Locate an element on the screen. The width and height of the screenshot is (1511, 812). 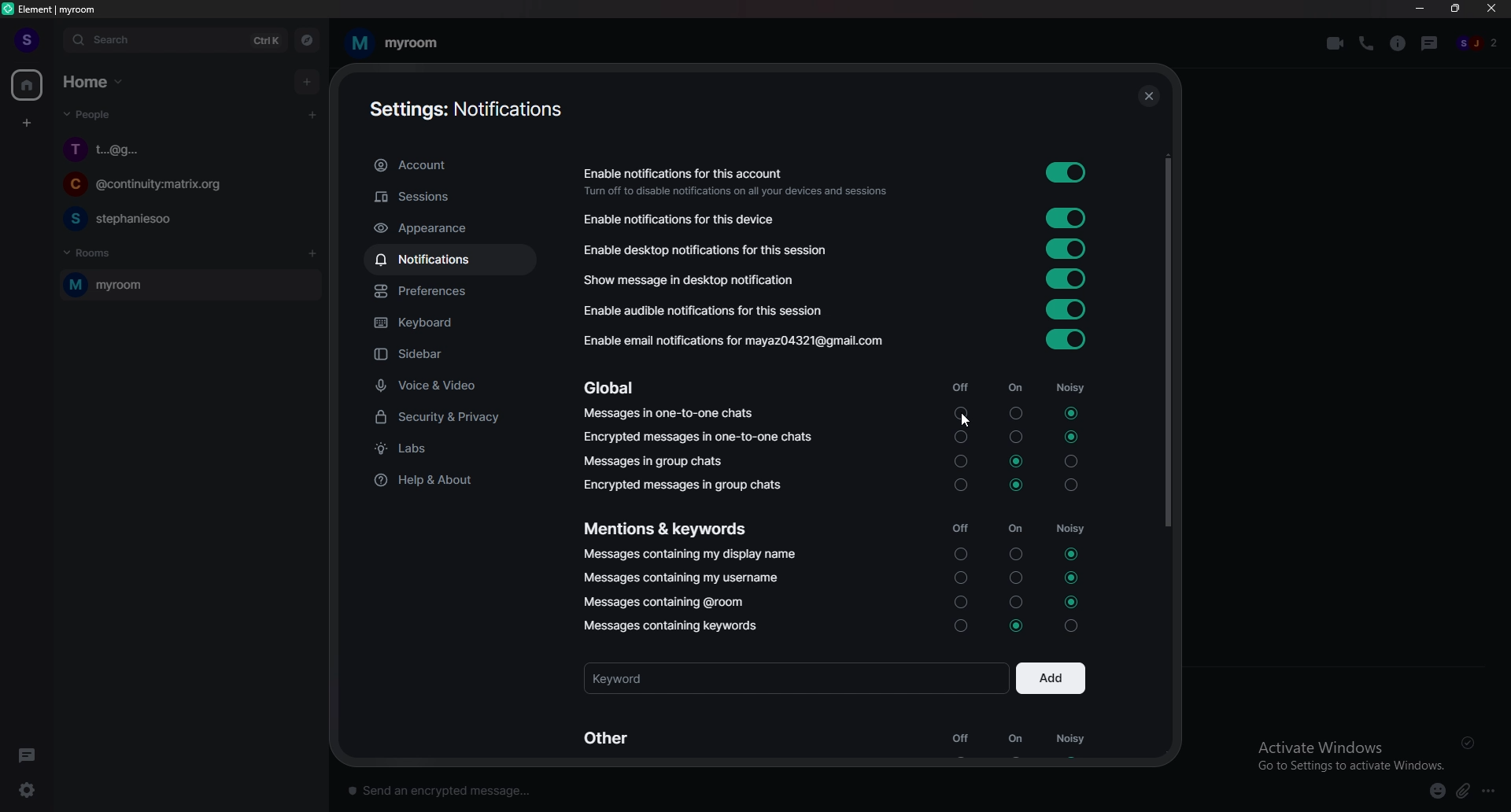
chat is located at coordinates (181, 186).